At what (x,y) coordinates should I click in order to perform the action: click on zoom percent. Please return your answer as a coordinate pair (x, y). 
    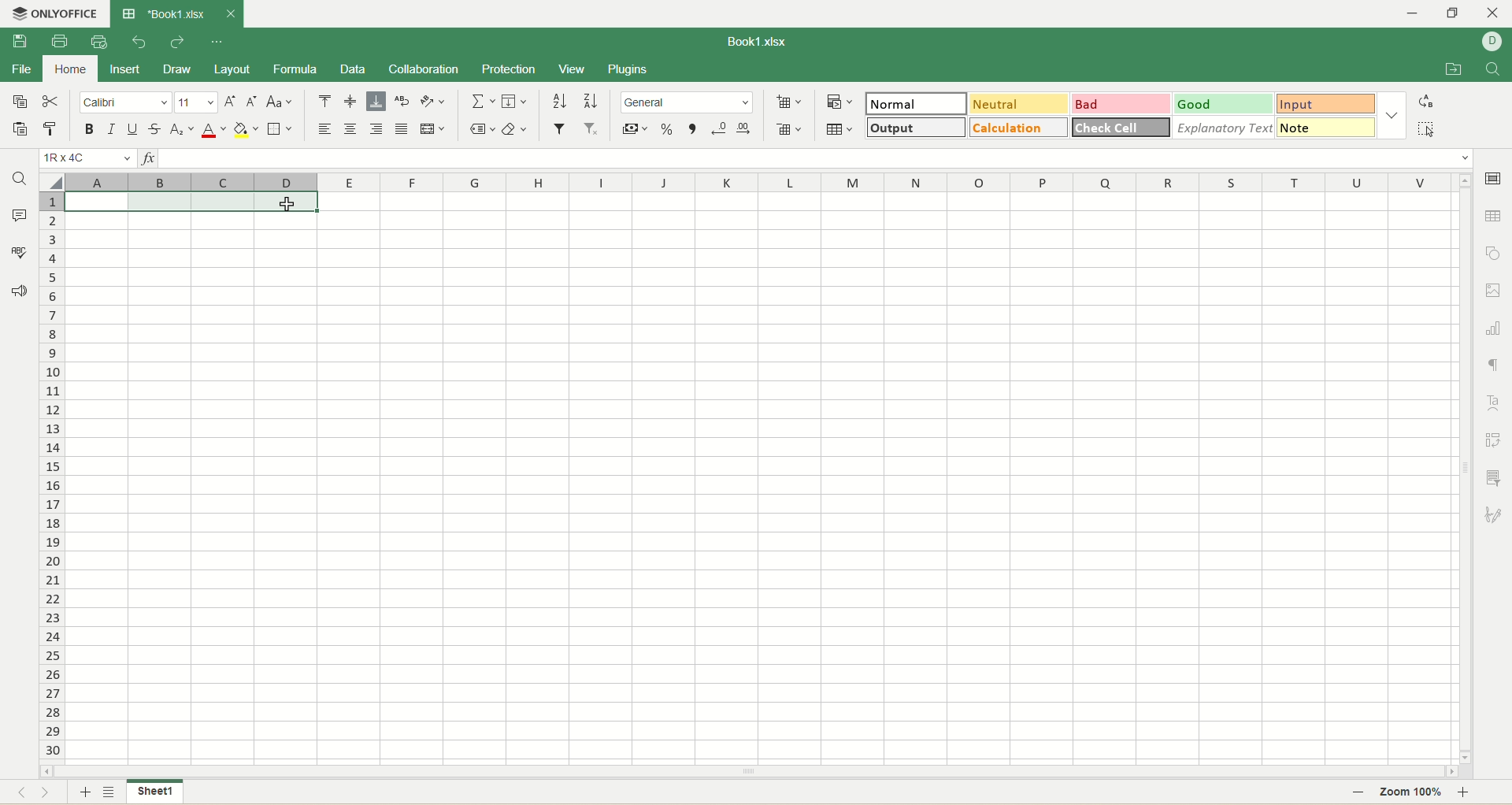
    Looking at the image, I should click on (1412, 793).